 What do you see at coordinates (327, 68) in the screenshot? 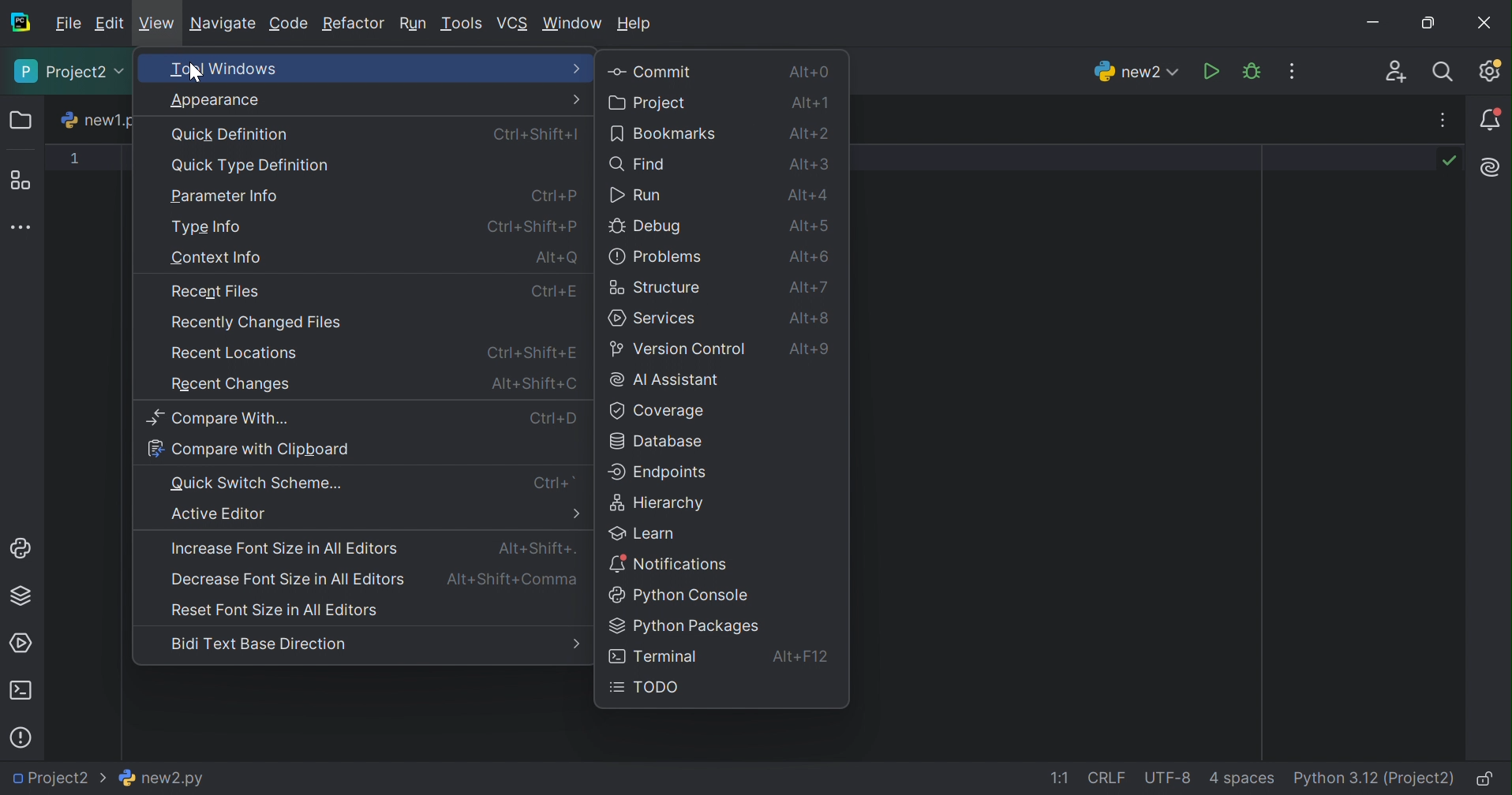
I see `Tool windows` at bounding box center [327, 68].